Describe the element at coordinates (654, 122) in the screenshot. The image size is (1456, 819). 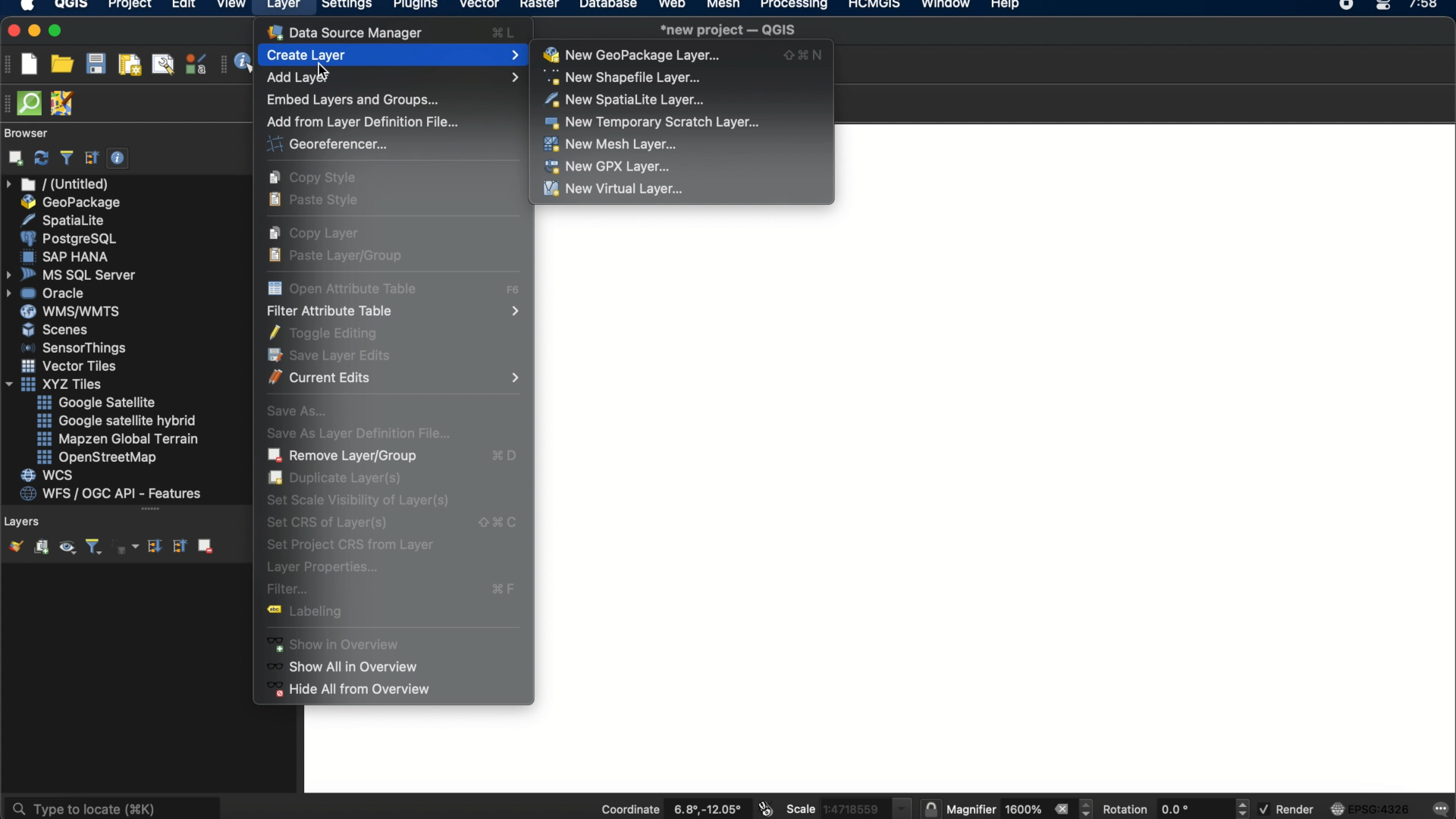
I see `new temporary scratch layer` at that location.